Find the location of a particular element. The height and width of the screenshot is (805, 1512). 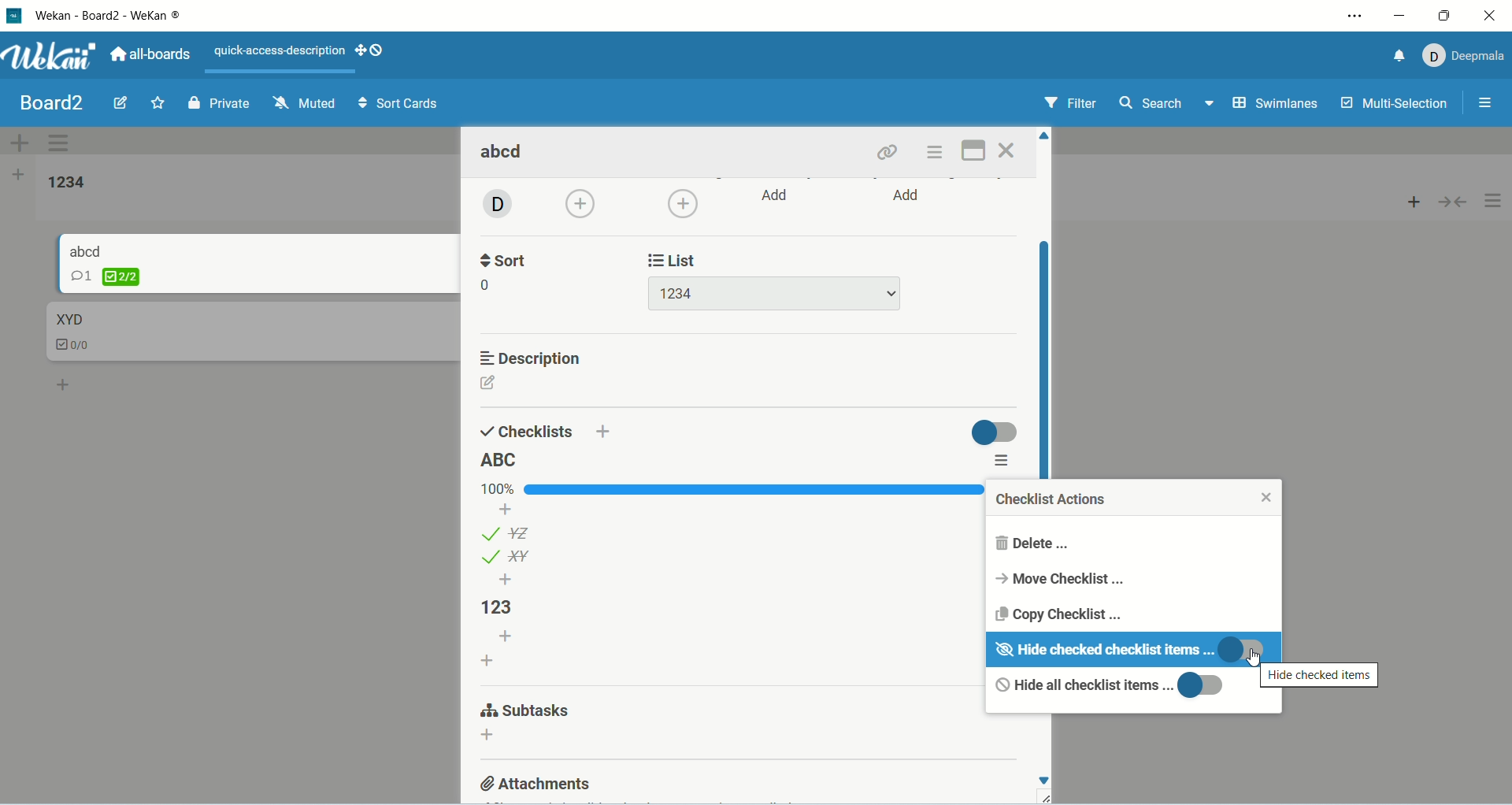

description is located at coordinates (533, 358).